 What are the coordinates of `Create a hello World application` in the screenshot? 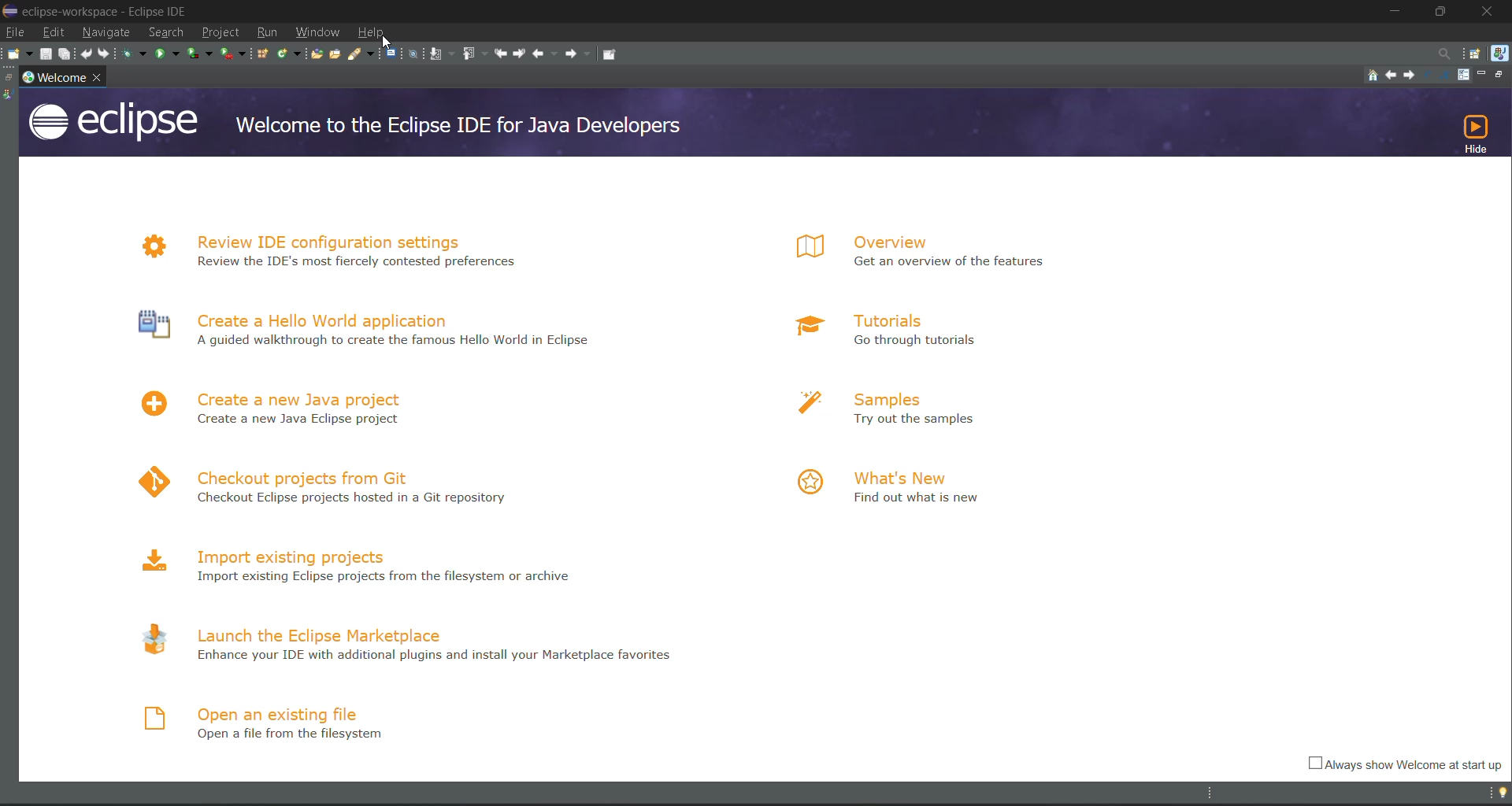 It's located at (335, 320).